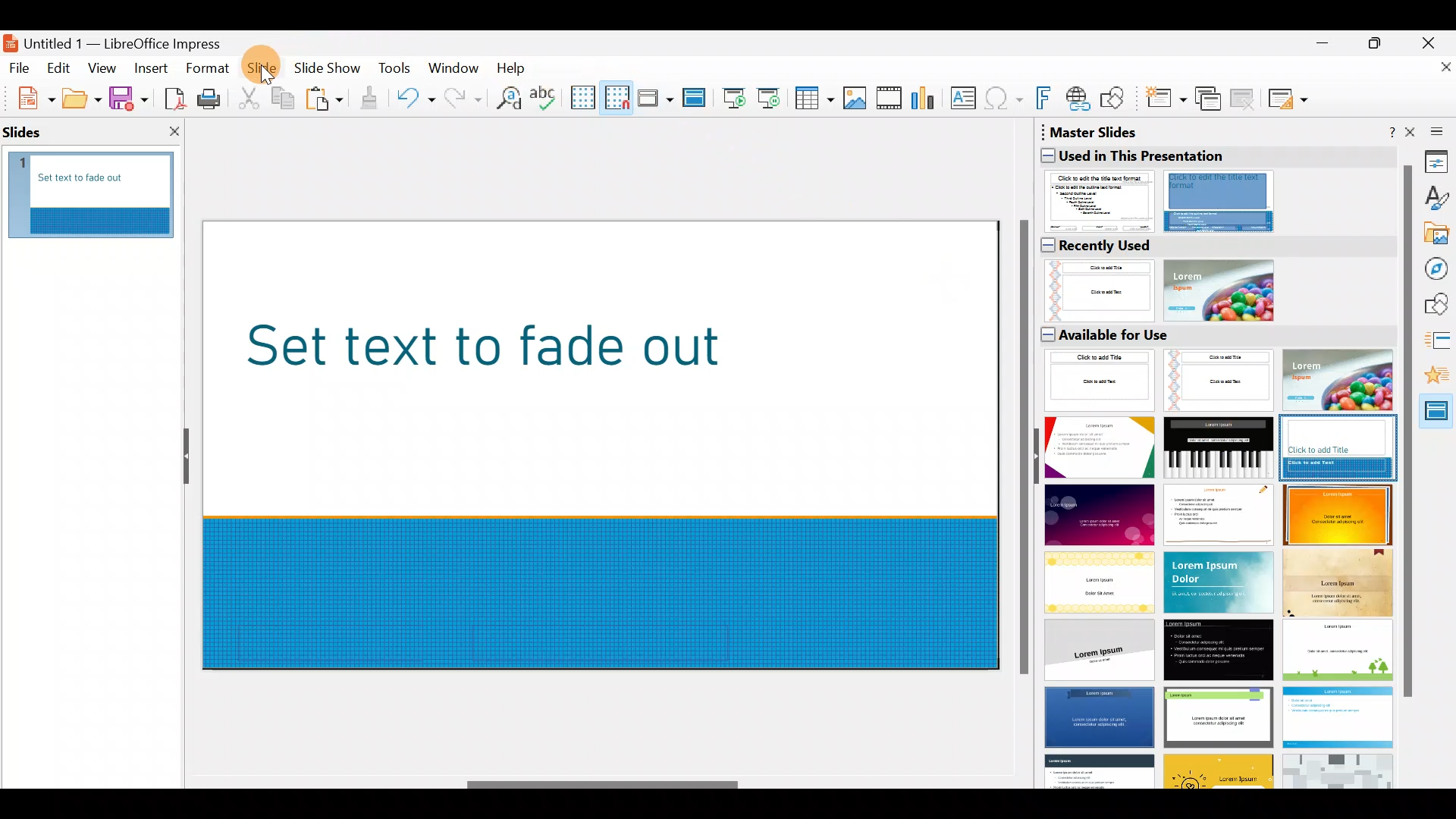 The image size is (1456, 819). What do you see at coordinates (582, 96) in the screenshot?
I see `Display grid` at bounding box center [582, 96].